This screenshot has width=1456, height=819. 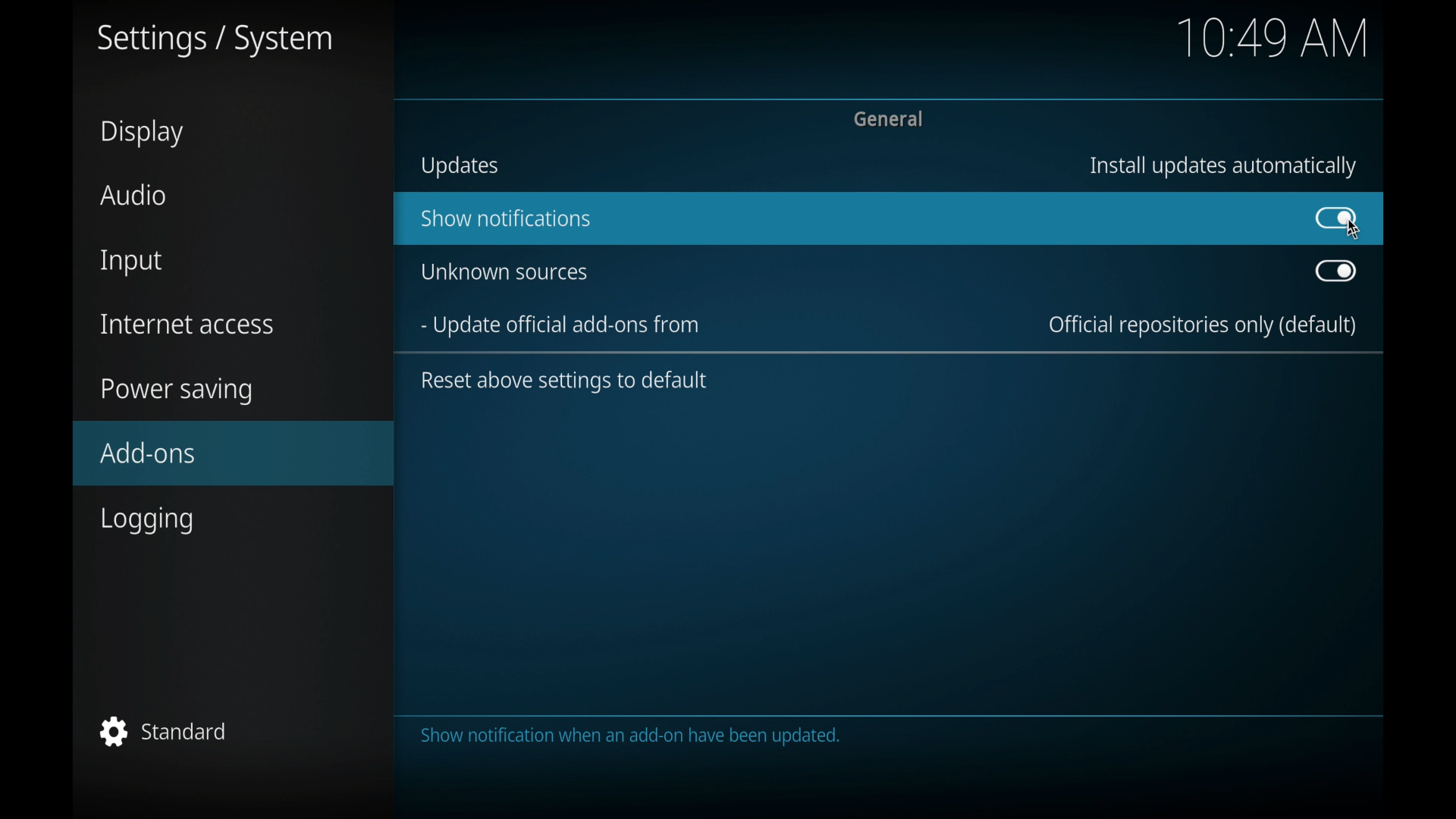 What do you see at coordinates (1336, 218) in the screenshot?
I see `toggle button` at bounding box center [1336, 218].